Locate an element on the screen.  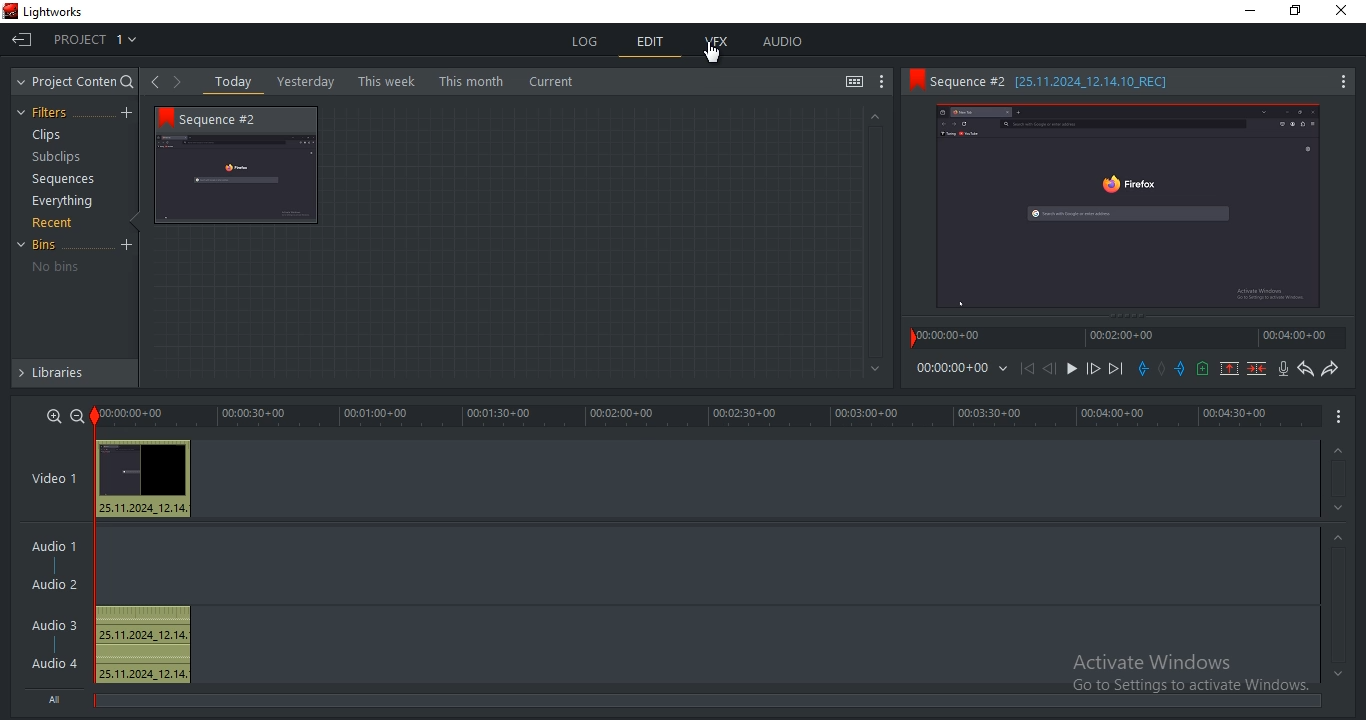
sequence 2 is located at coordinates (1130, 209).